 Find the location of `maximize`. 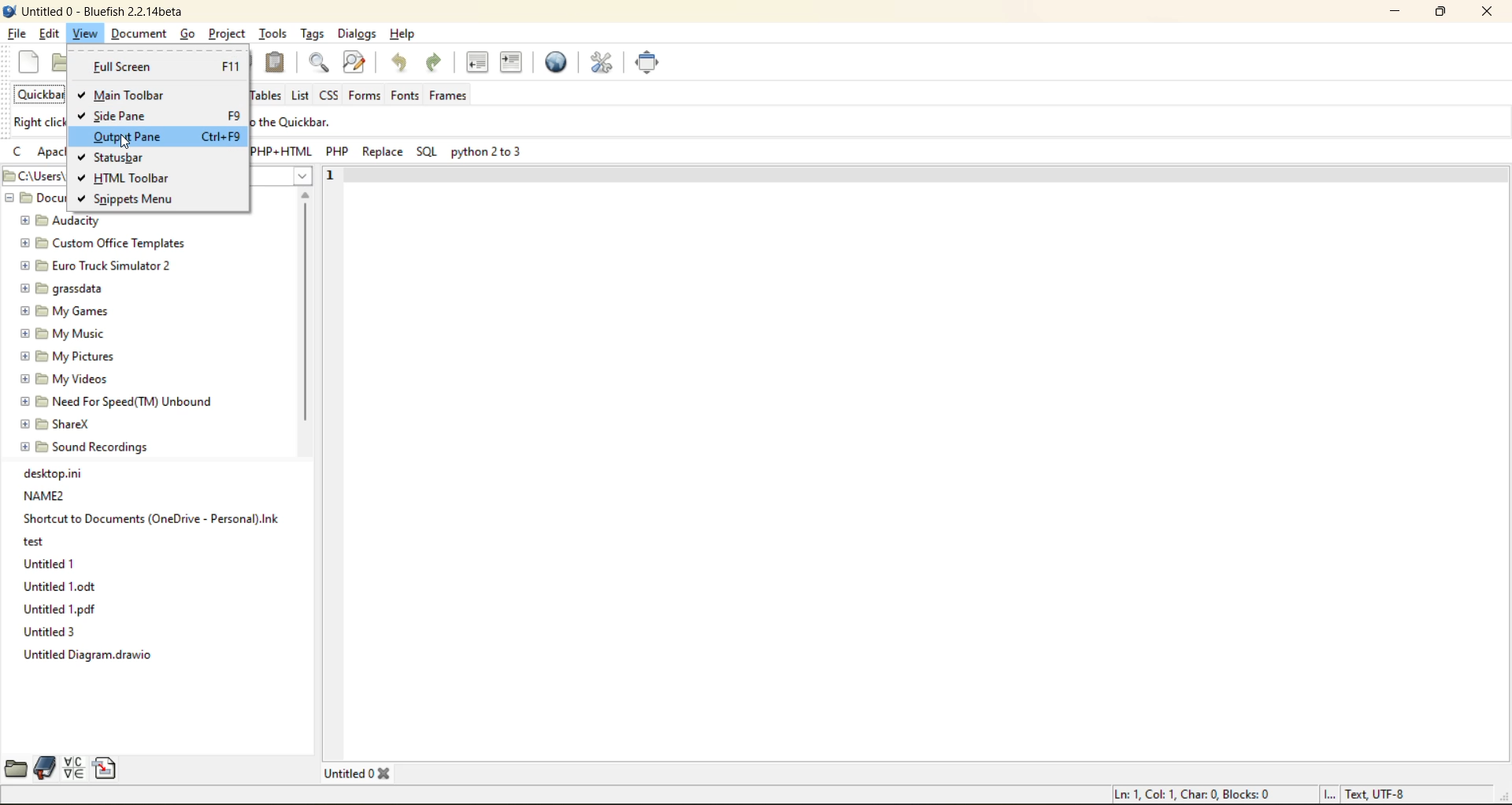

maximize is located at coordinates (1445, 12).